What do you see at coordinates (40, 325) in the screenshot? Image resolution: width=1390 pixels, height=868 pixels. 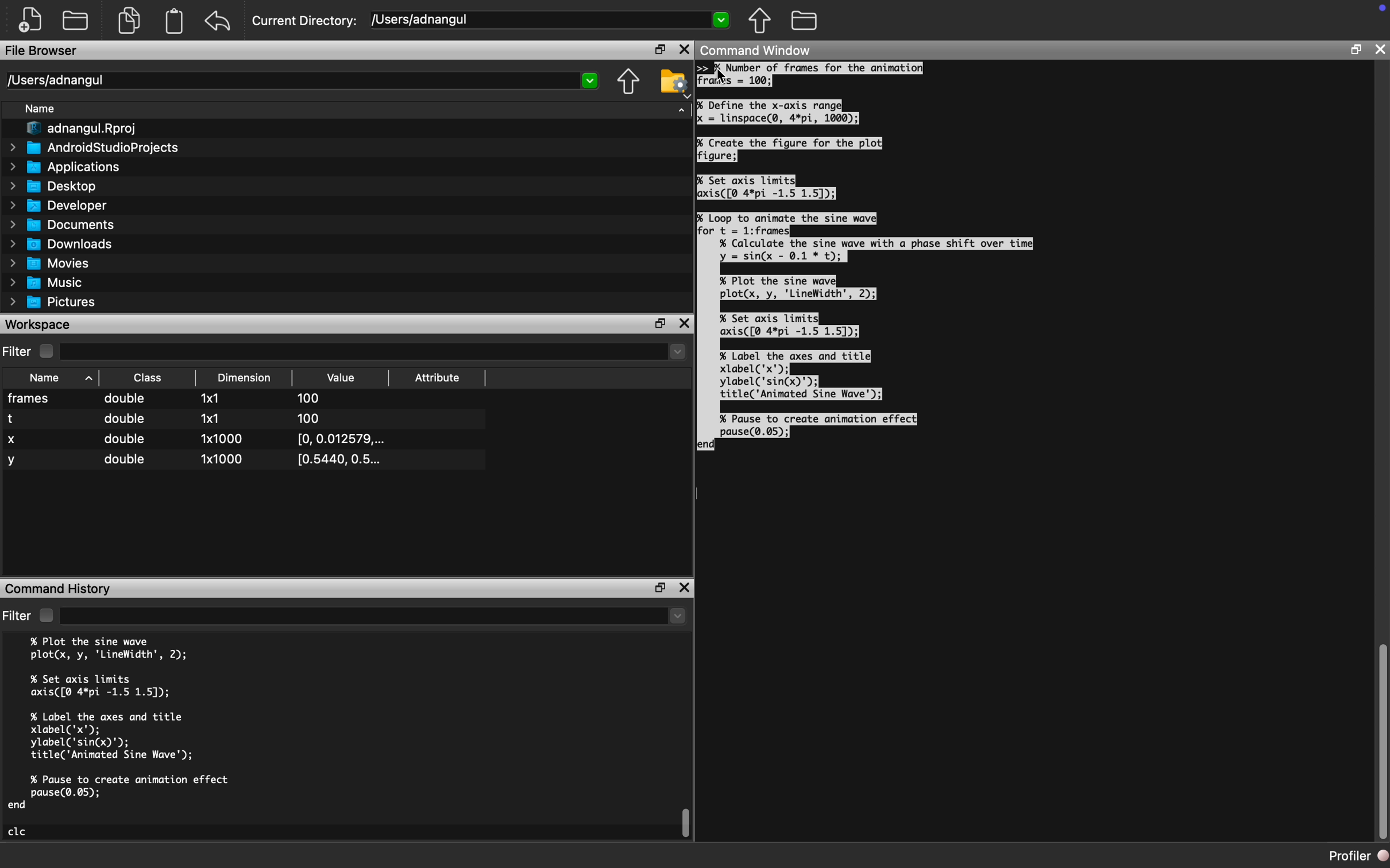 I see `Workspace` at bounding box center [40, 325].